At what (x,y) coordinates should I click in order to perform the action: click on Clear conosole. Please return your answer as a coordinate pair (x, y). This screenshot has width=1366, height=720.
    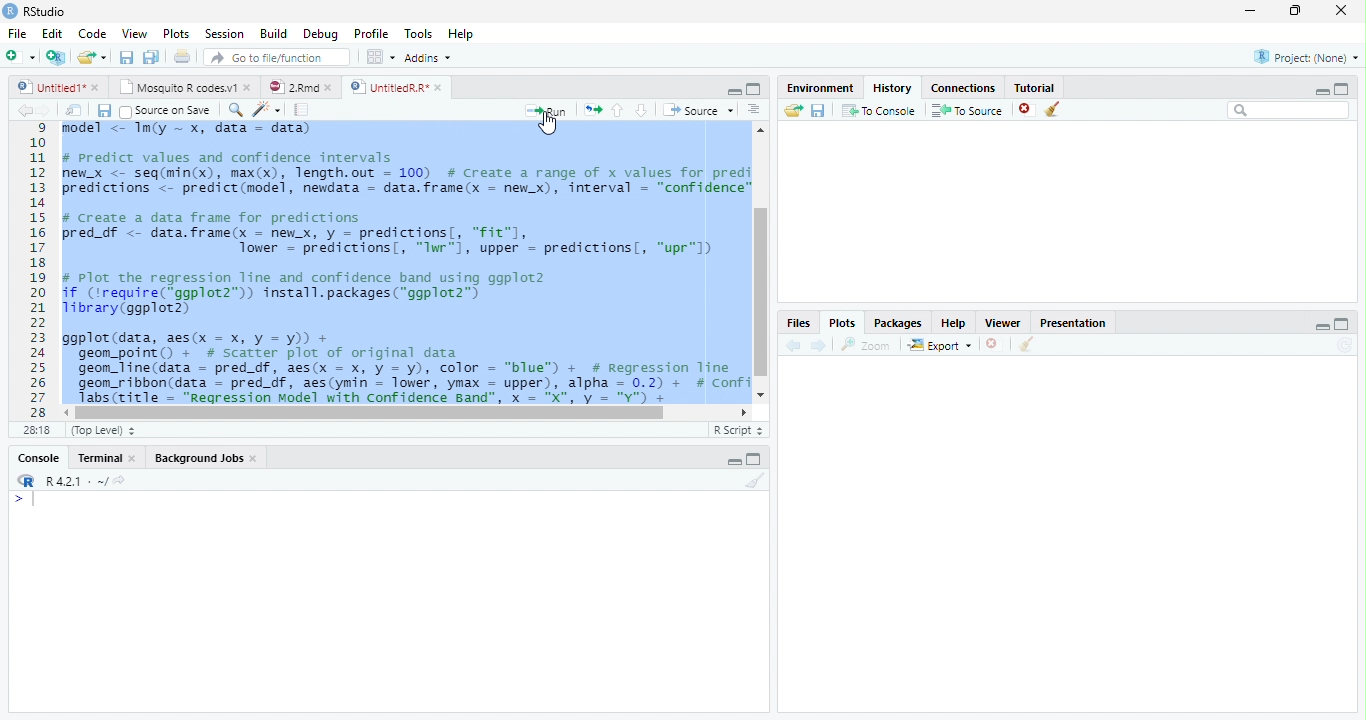
    Looking at the image, I should click on (1029, 344).